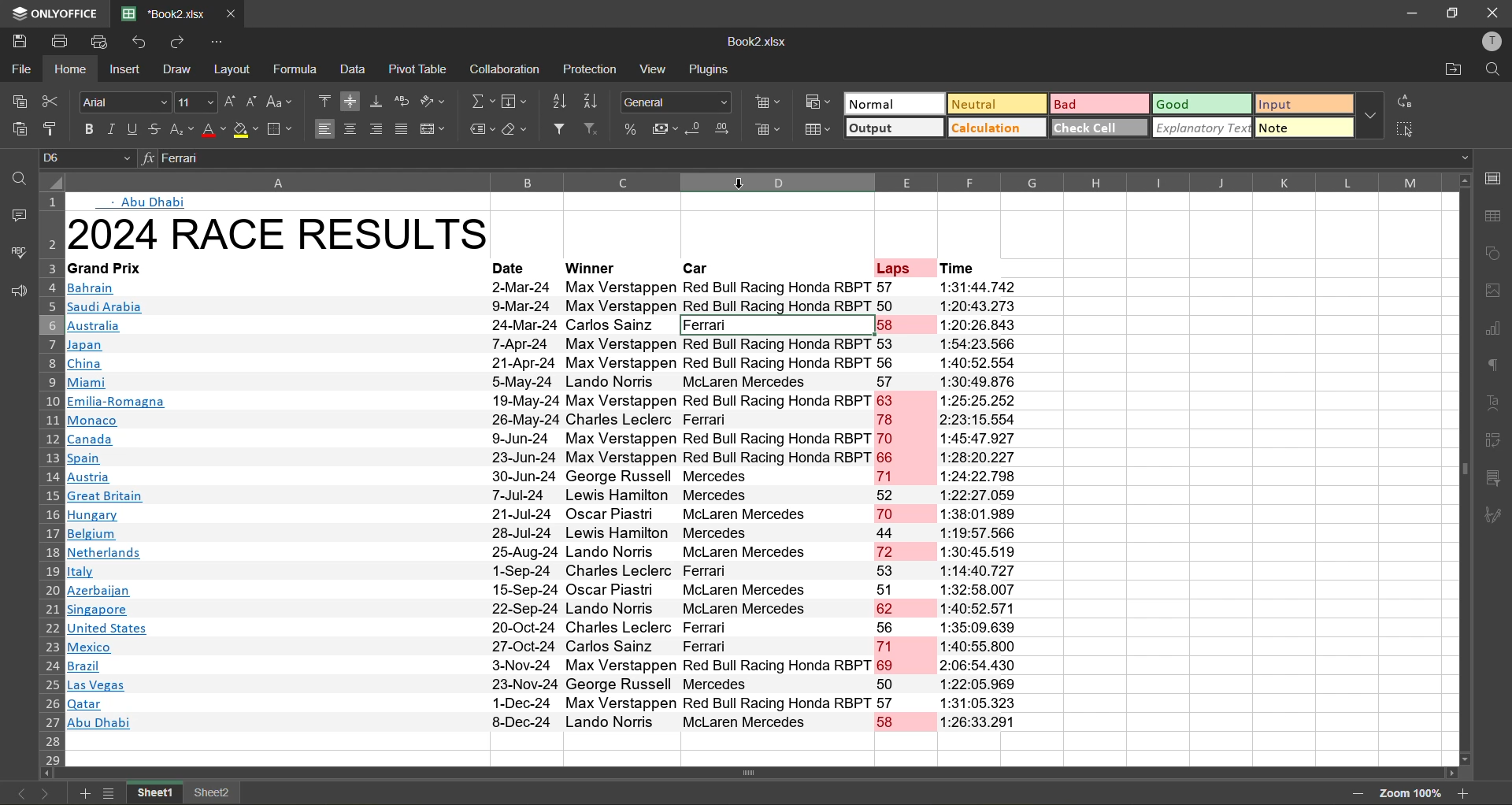  Describe the element at coordinates (481, 101) in the screenshot. I see `summation` at that location.